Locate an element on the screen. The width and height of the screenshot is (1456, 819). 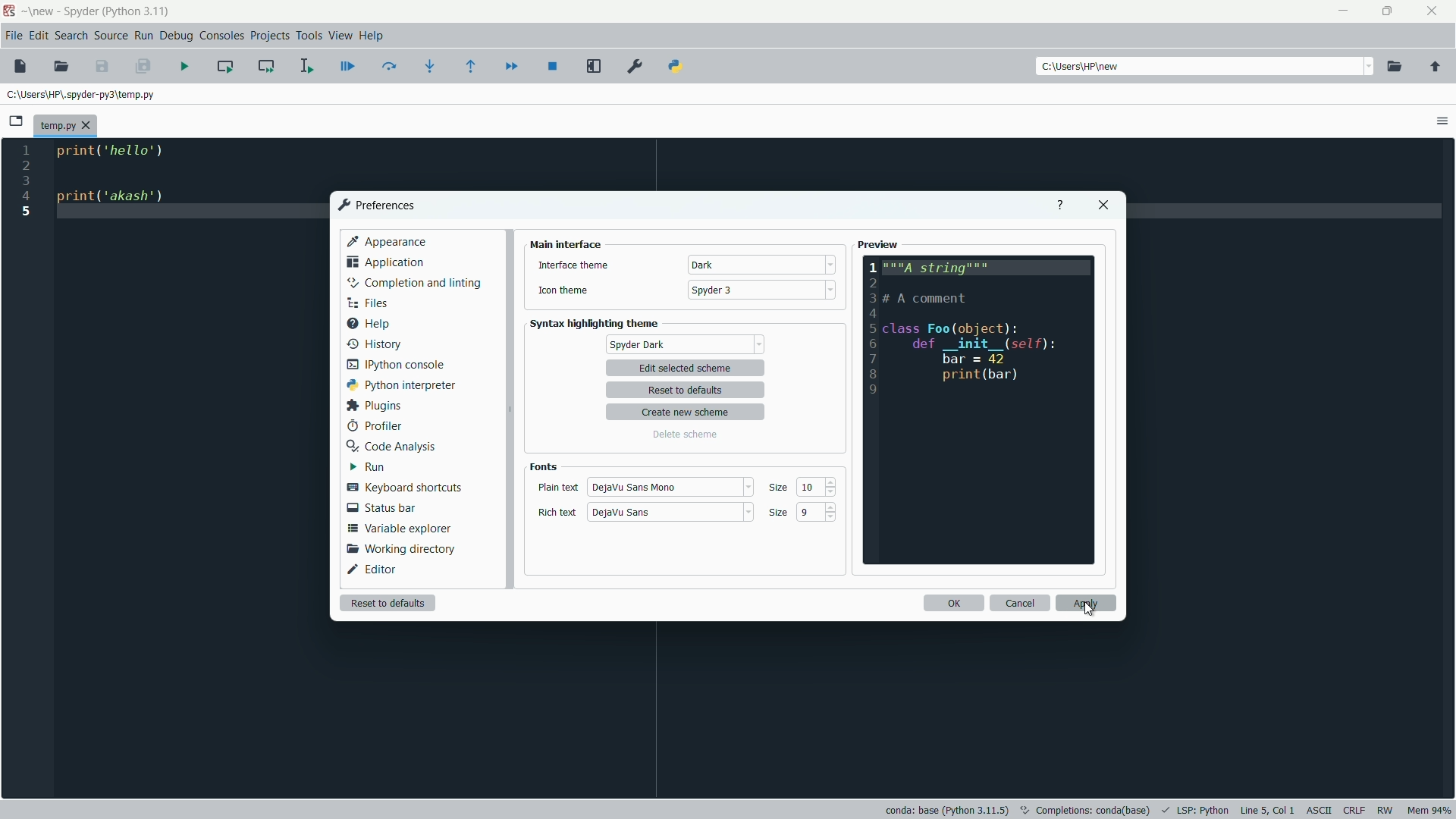
code is located at coordinates (119, 177).